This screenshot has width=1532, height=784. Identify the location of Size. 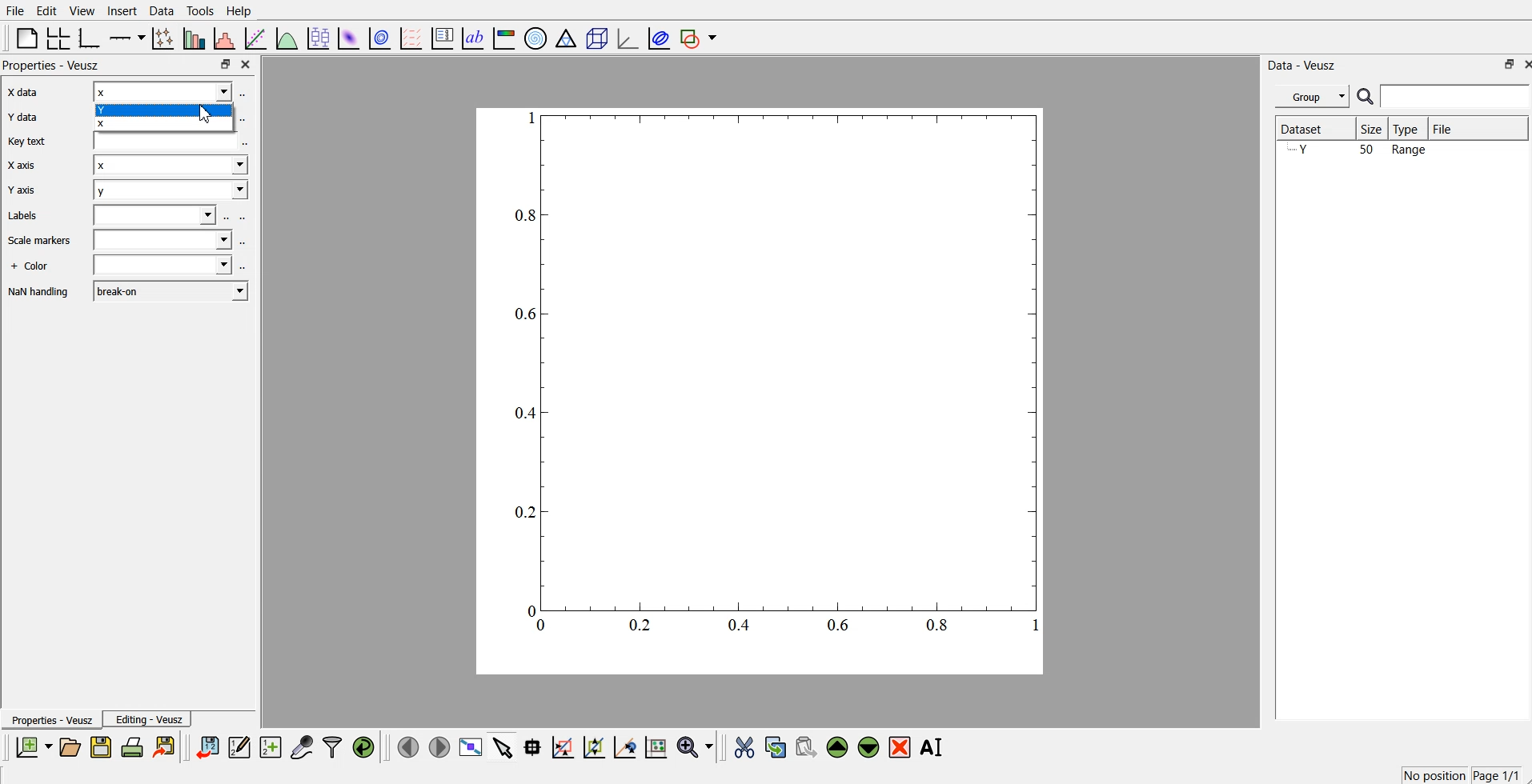
(1375, 130).